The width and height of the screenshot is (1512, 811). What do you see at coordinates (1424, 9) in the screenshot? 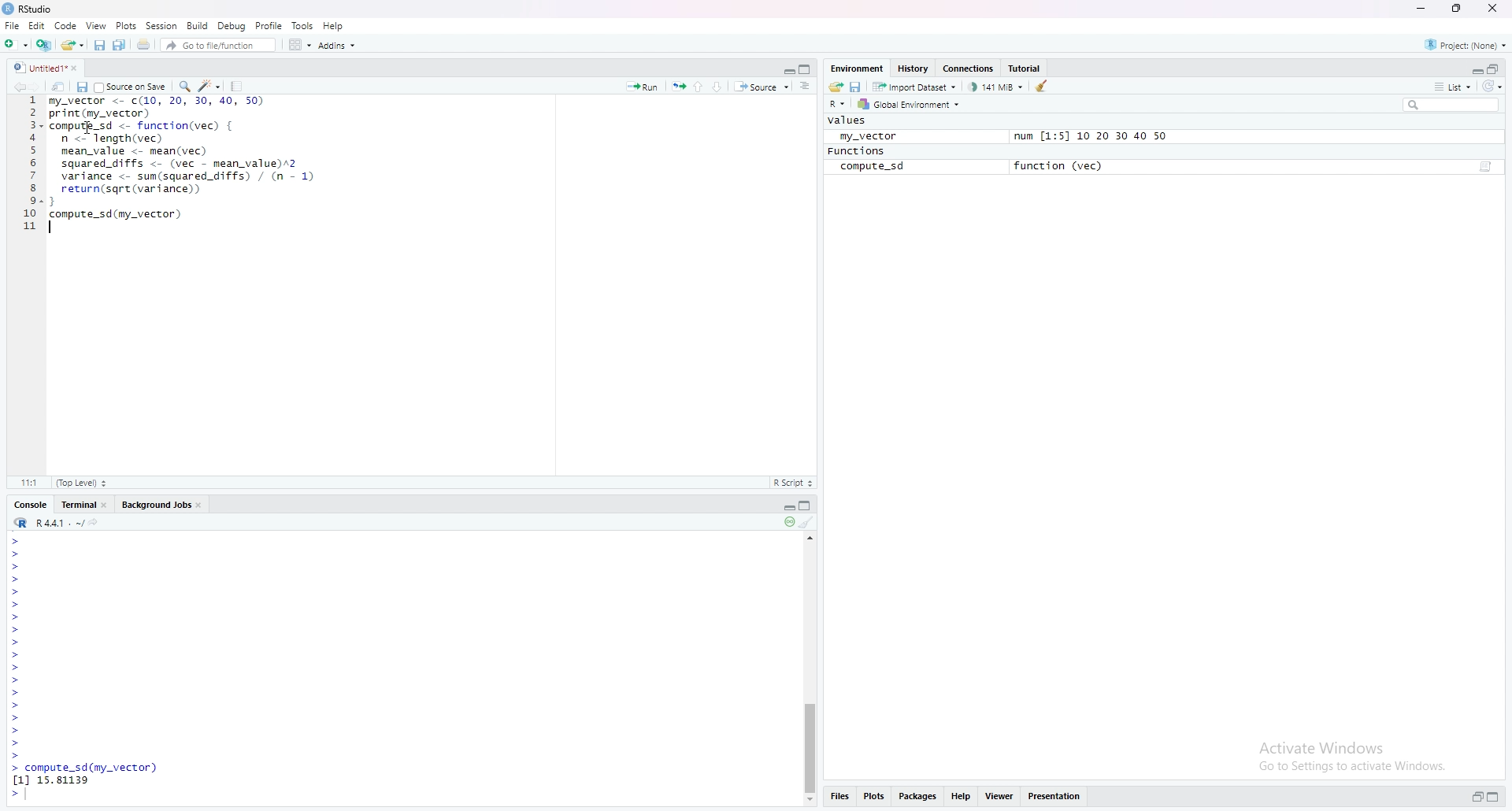
I see `Minimize` at bounding box center [1424, 9].